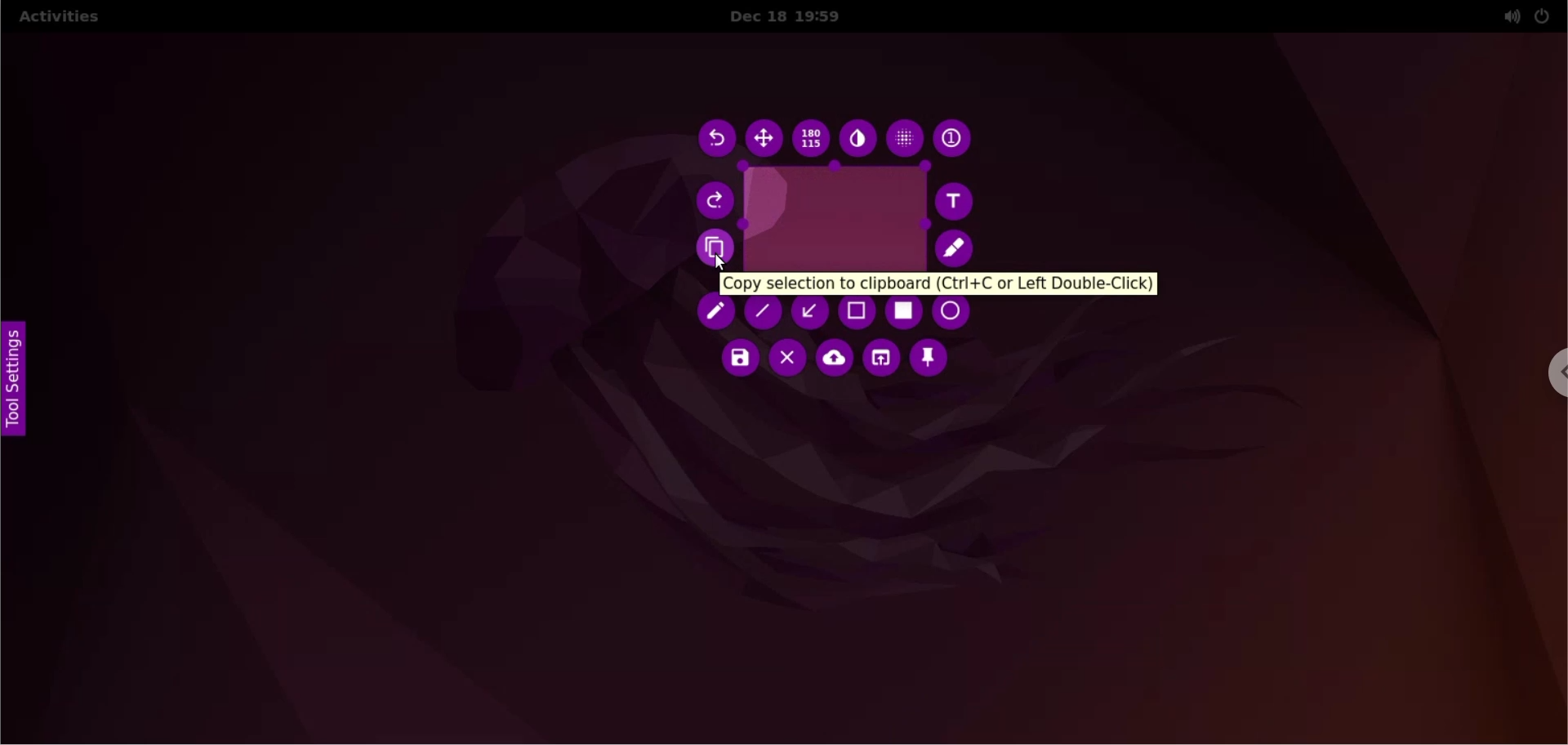  Describe the element at coordinates (741, 359) in the screenshot. I see `save ` at that location.